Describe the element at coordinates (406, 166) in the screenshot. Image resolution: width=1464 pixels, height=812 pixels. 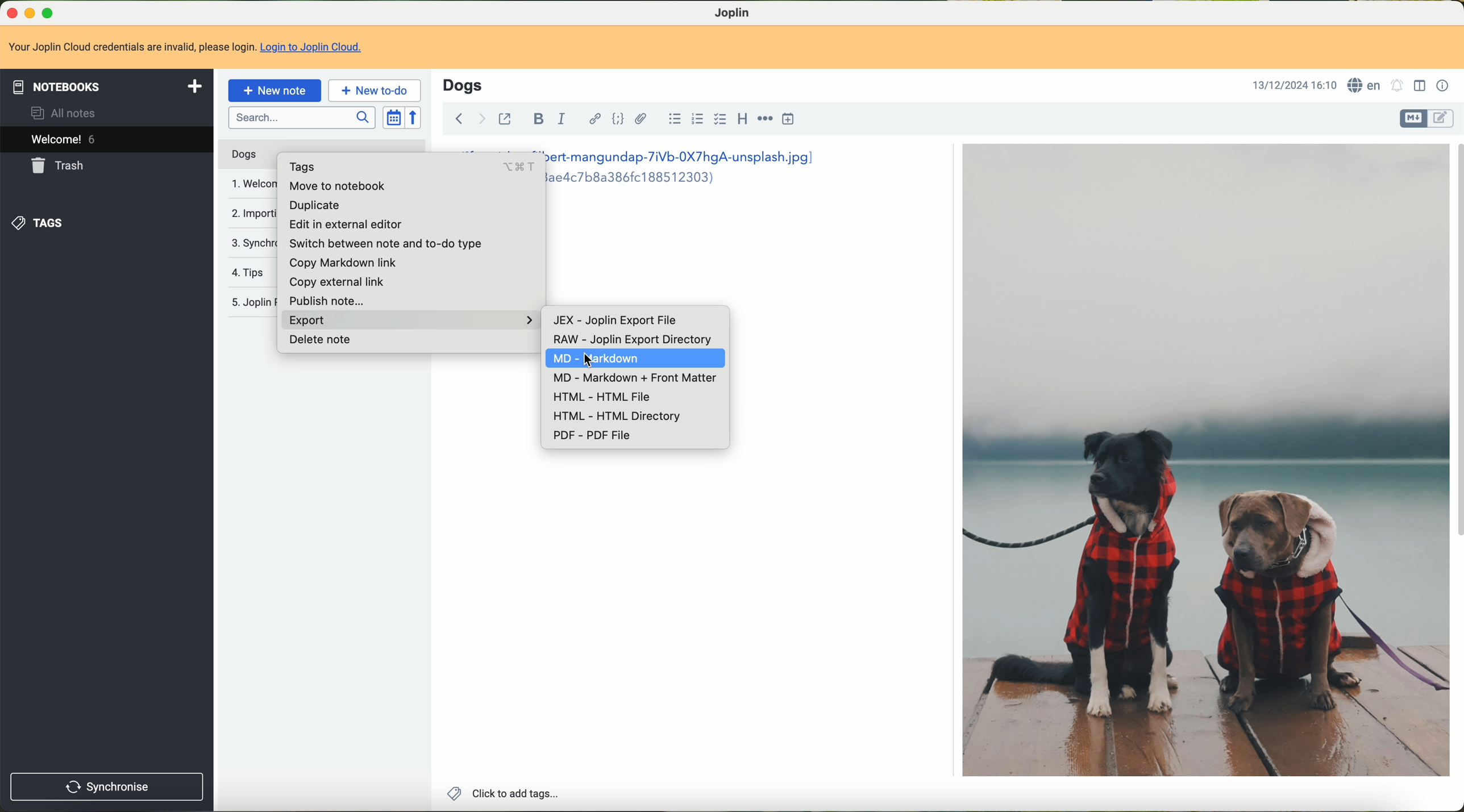
I see `tags` at that location.